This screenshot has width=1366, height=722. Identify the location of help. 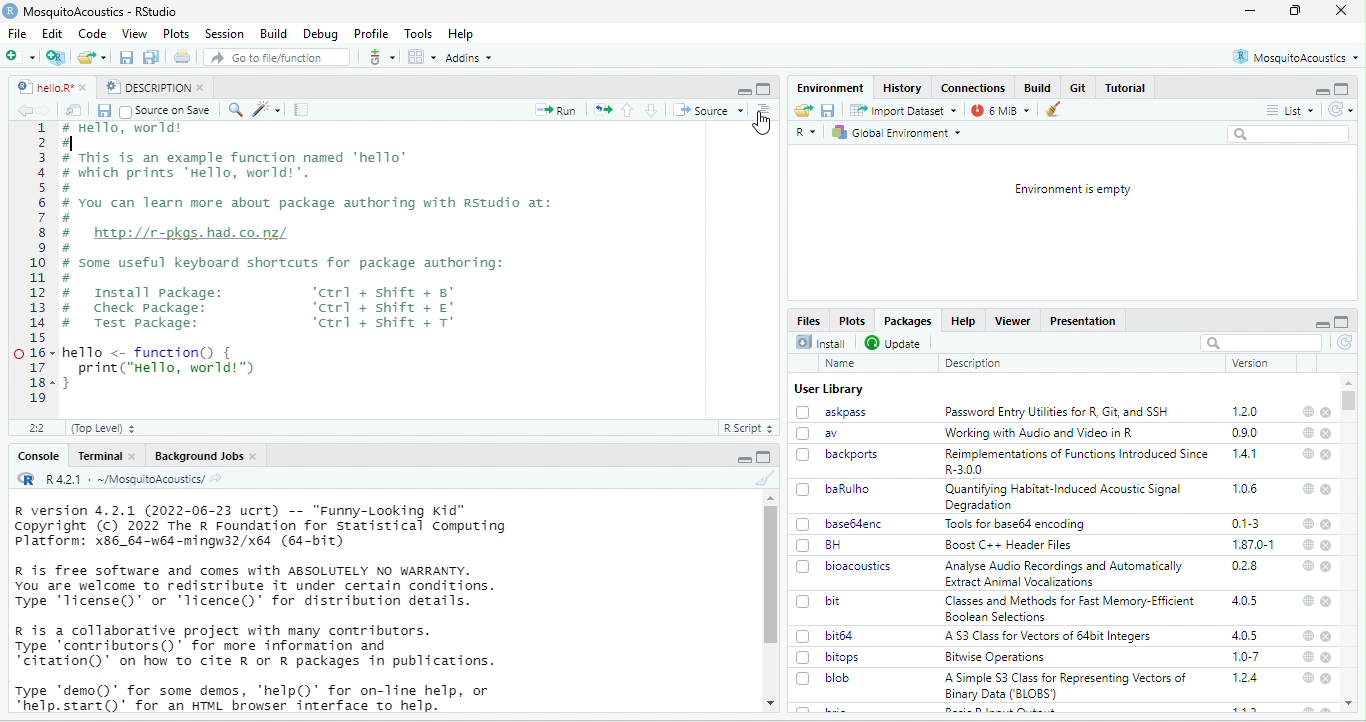
(1307, 543).